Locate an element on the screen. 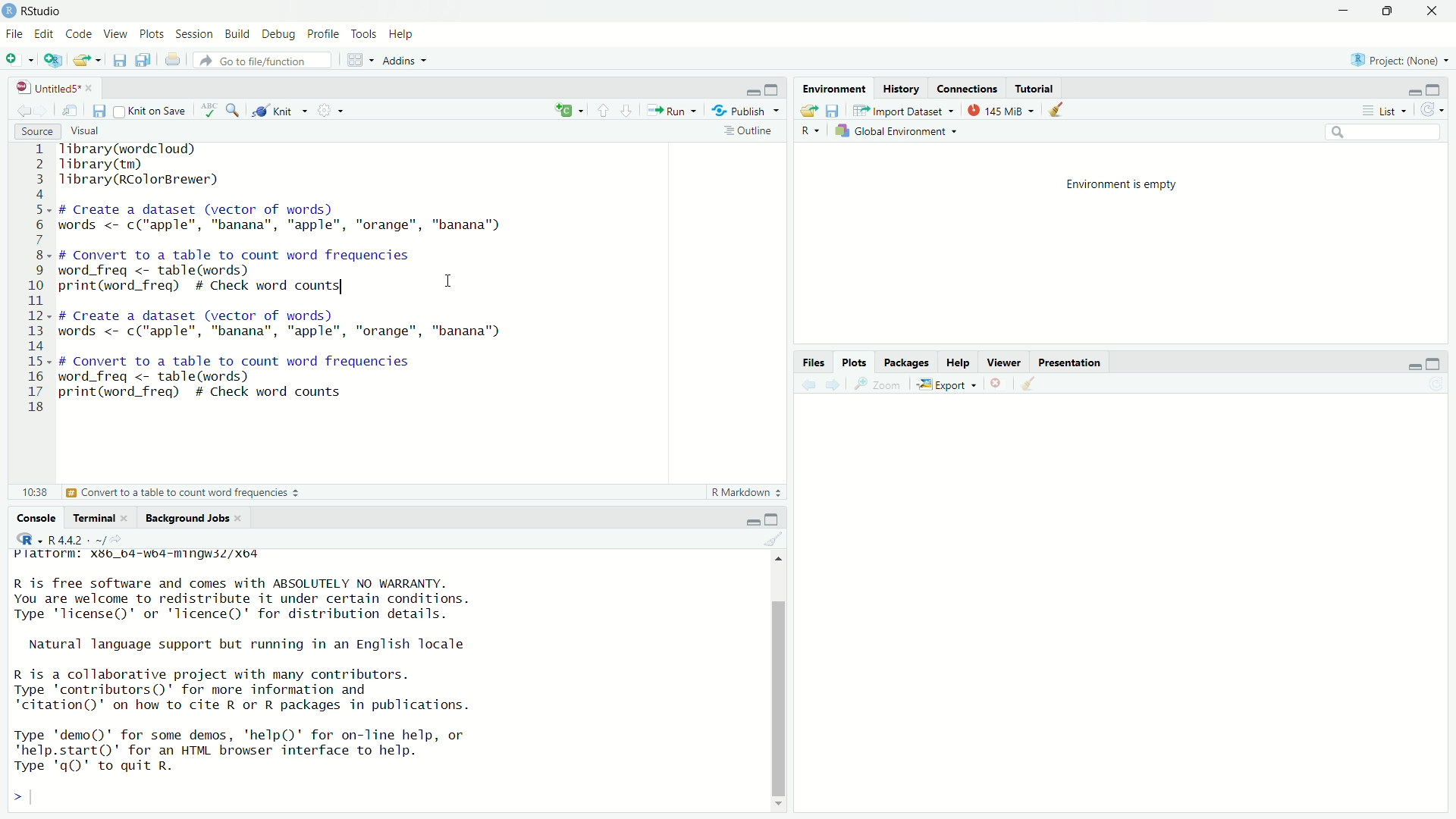 The image size is (1456, 819). Profile is located at coordinates (325, 35).